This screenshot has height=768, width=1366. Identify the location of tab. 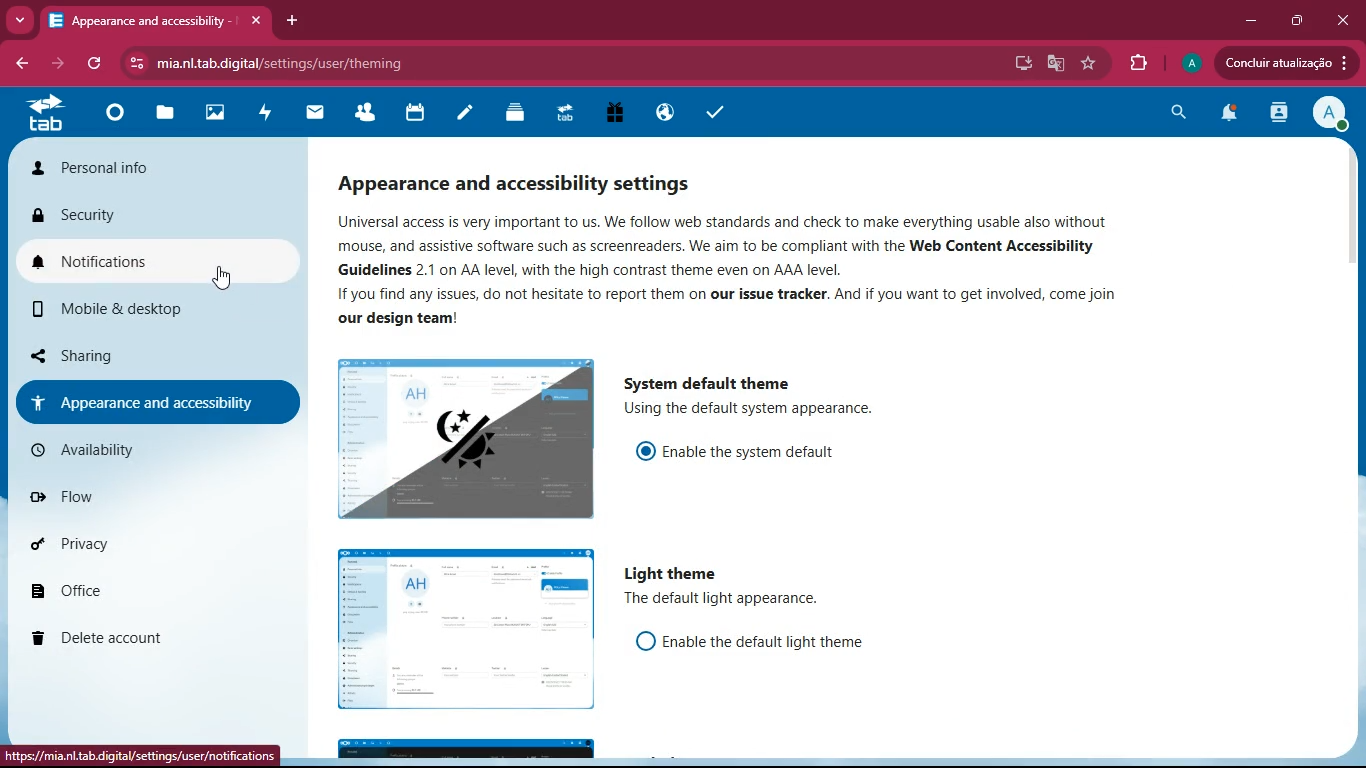
(48, 118).